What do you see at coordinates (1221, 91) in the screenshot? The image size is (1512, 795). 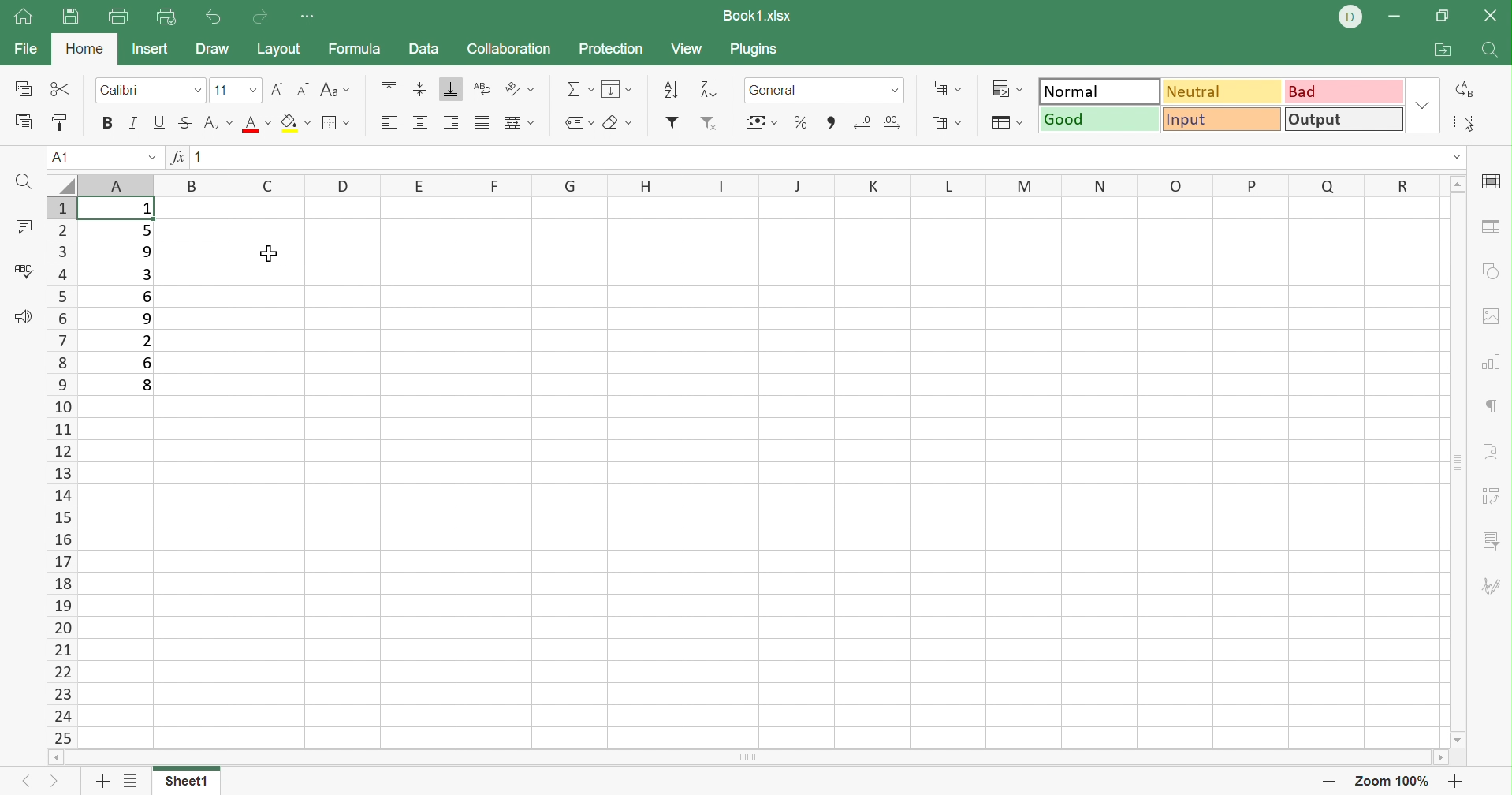 I see `Neutral` at bounding box center [1221, 91].